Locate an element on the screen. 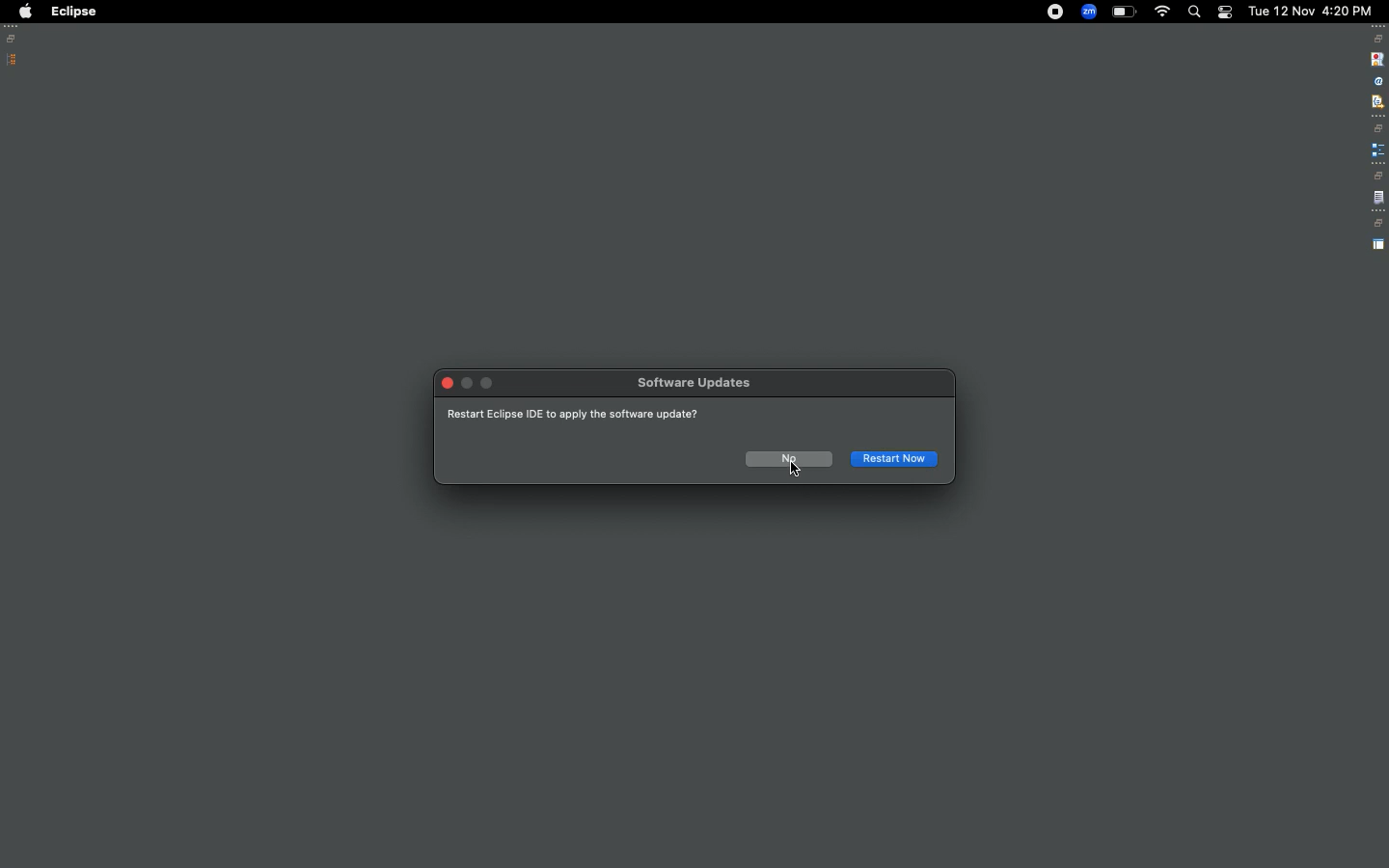 Image resolution: width=1389 pixels, height=868 pixels. Restart now is located at coordinates (895, 458).